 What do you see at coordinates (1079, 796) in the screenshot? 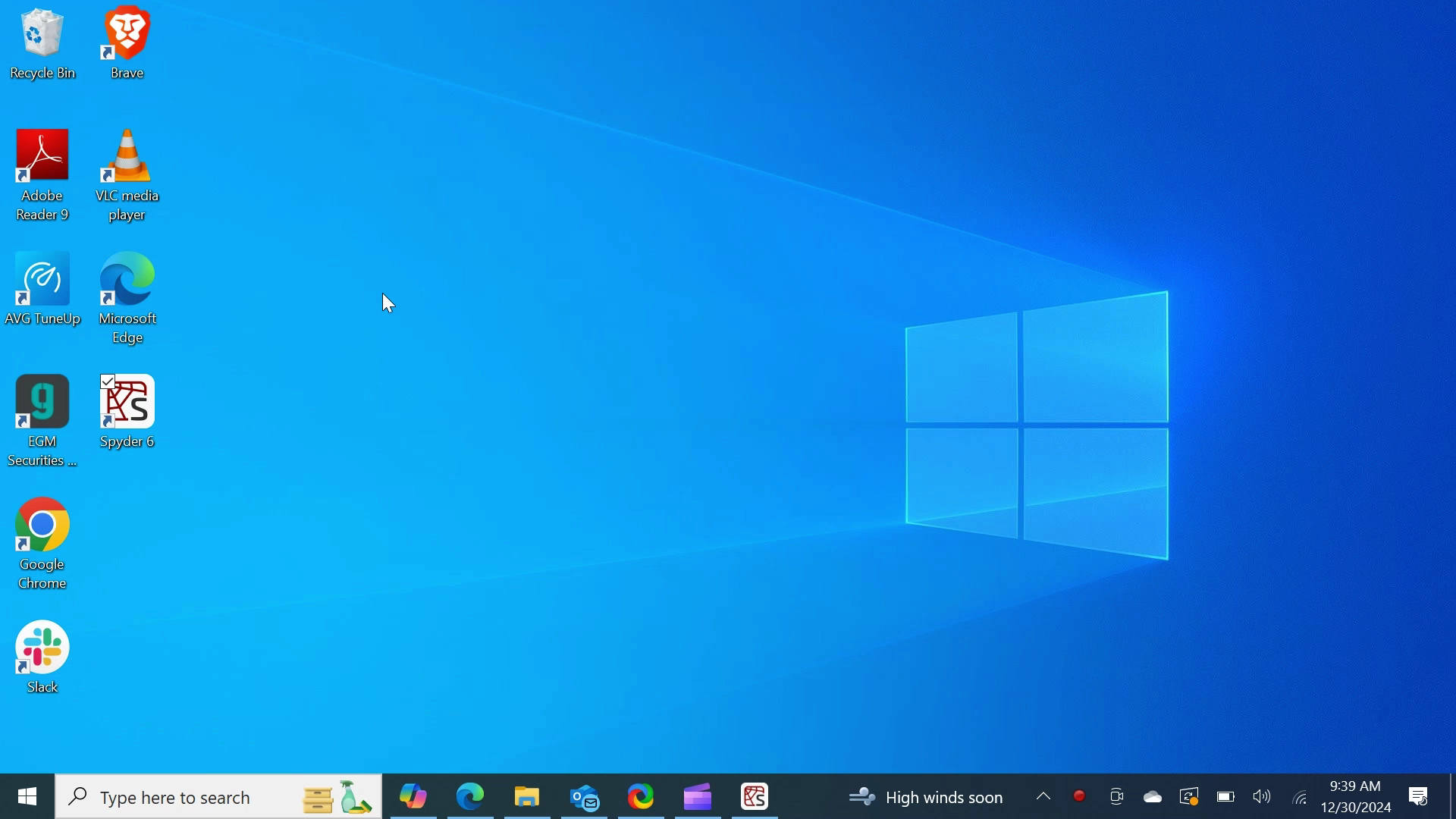
I see `Record` at bounding box center [1079, 796].